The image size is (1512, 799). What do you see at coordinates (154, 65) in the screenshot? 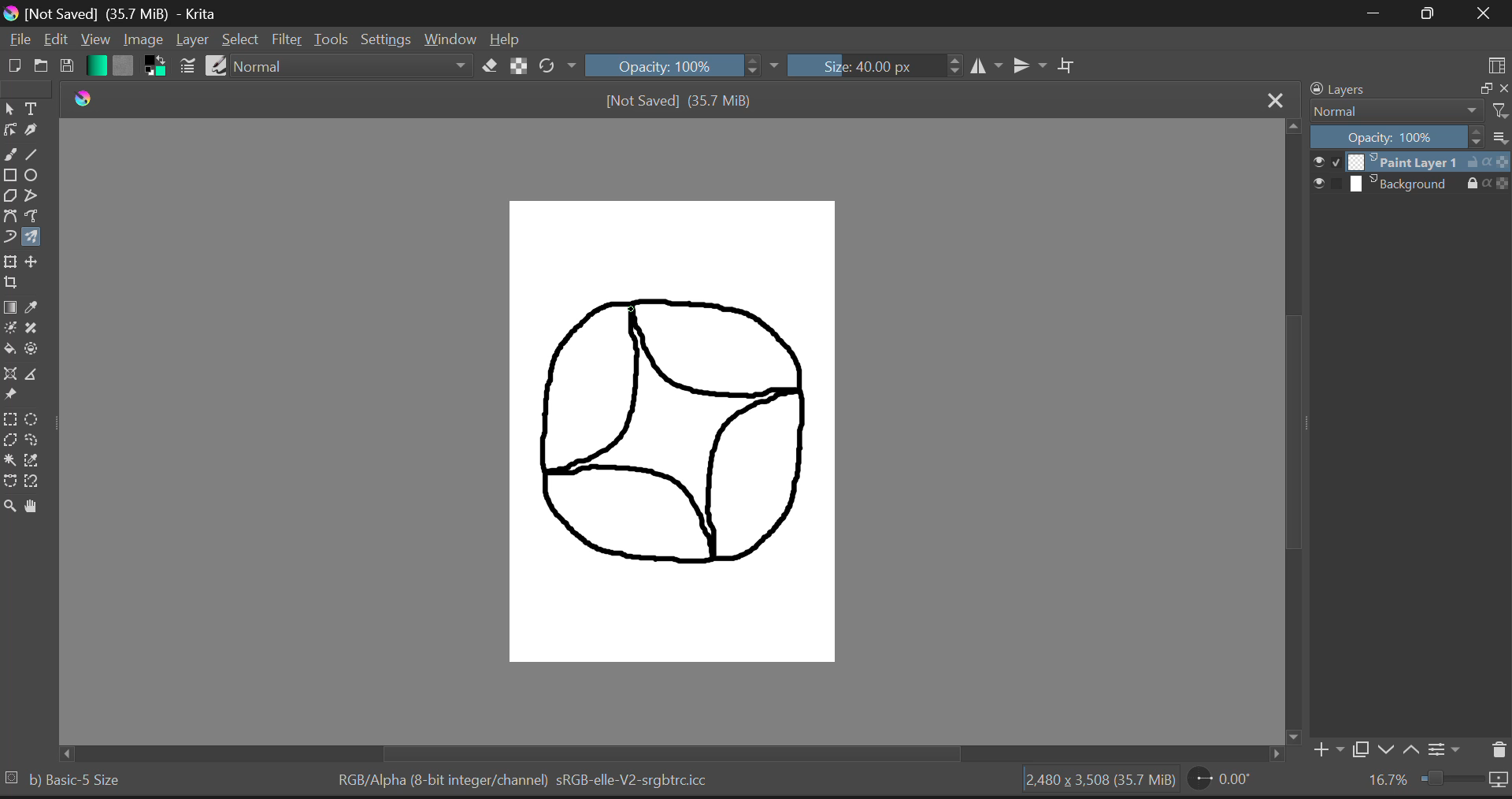
I see `Colors in Use` at bounding box center [154, 65].